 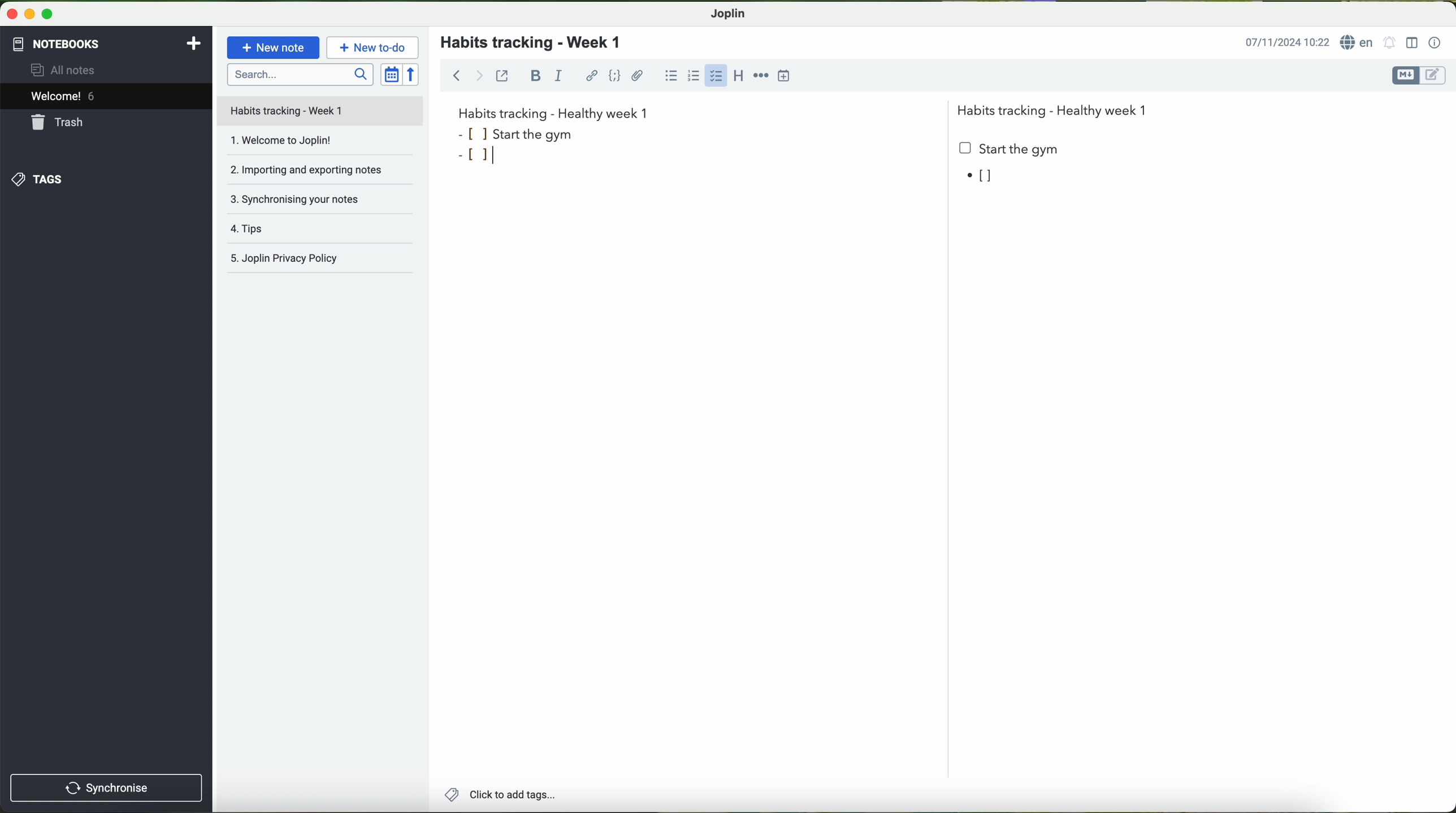 I want to click on toggle external editing, so click(x=502, y=75).